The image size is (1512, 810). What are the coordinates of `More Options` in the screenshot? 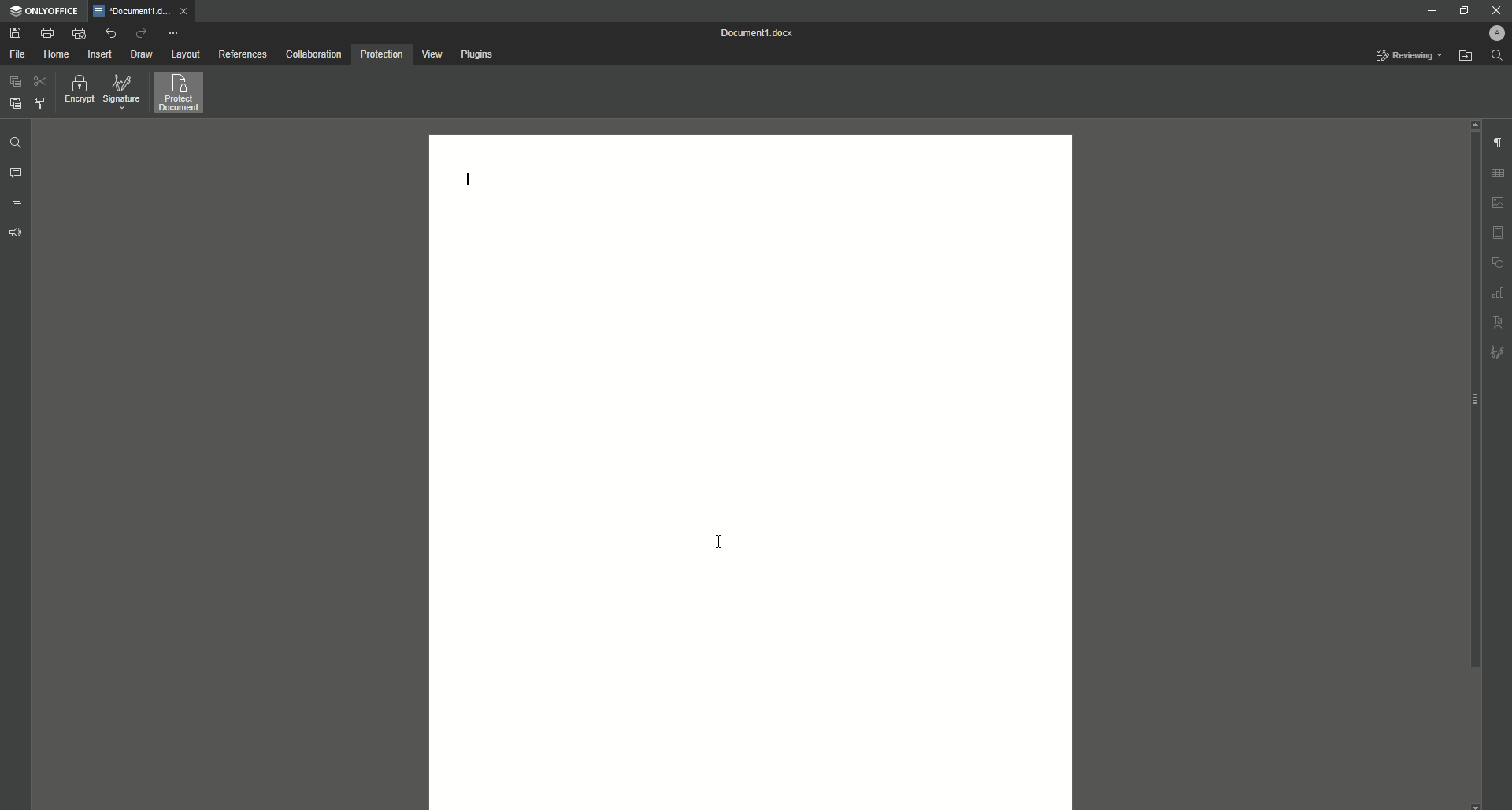 It's located at (175, 32).